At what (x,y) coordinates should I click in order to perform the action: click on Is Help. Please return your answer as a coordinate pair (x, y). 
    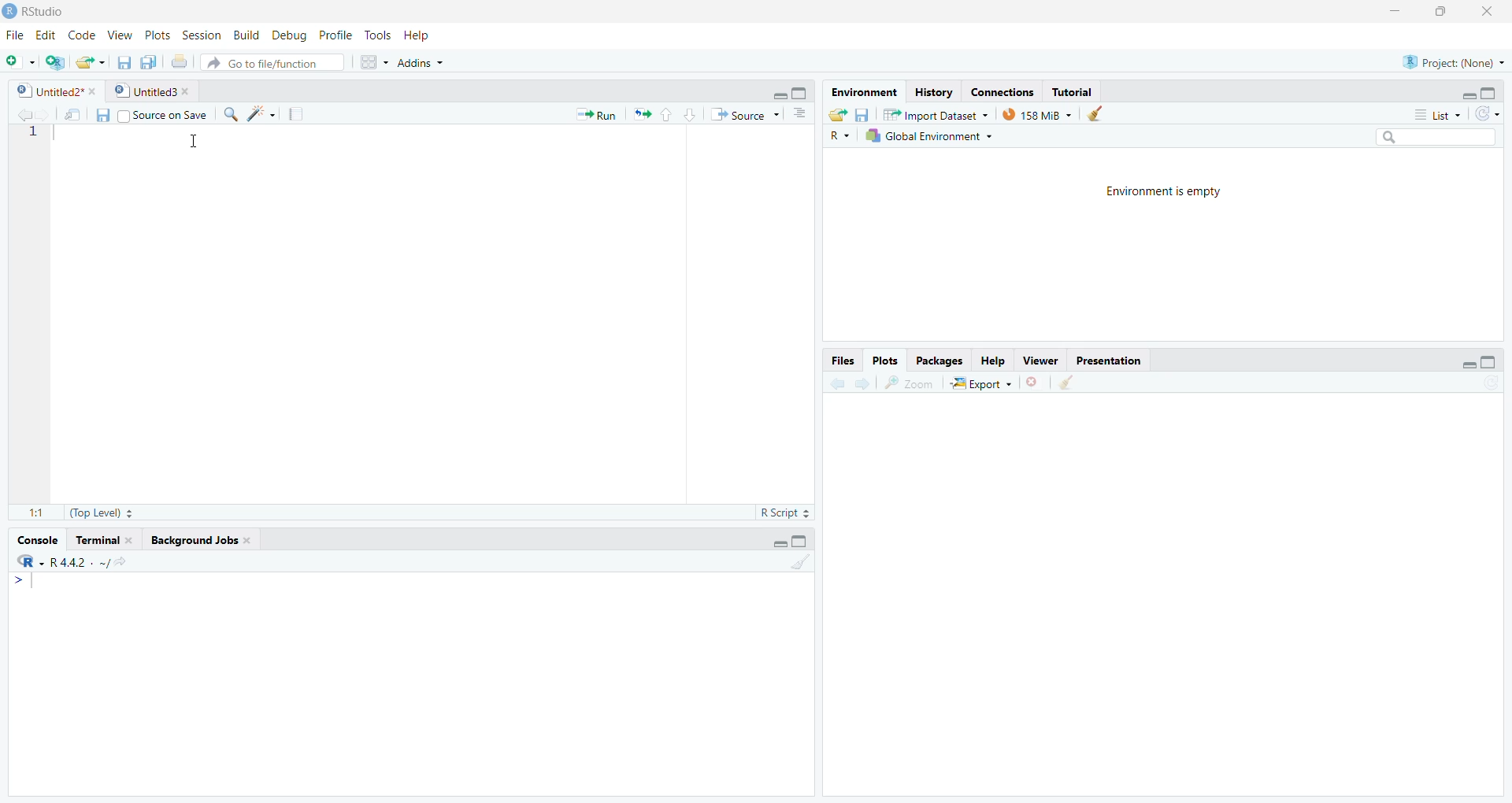
    Looking at the image, I should click on (424, 31).